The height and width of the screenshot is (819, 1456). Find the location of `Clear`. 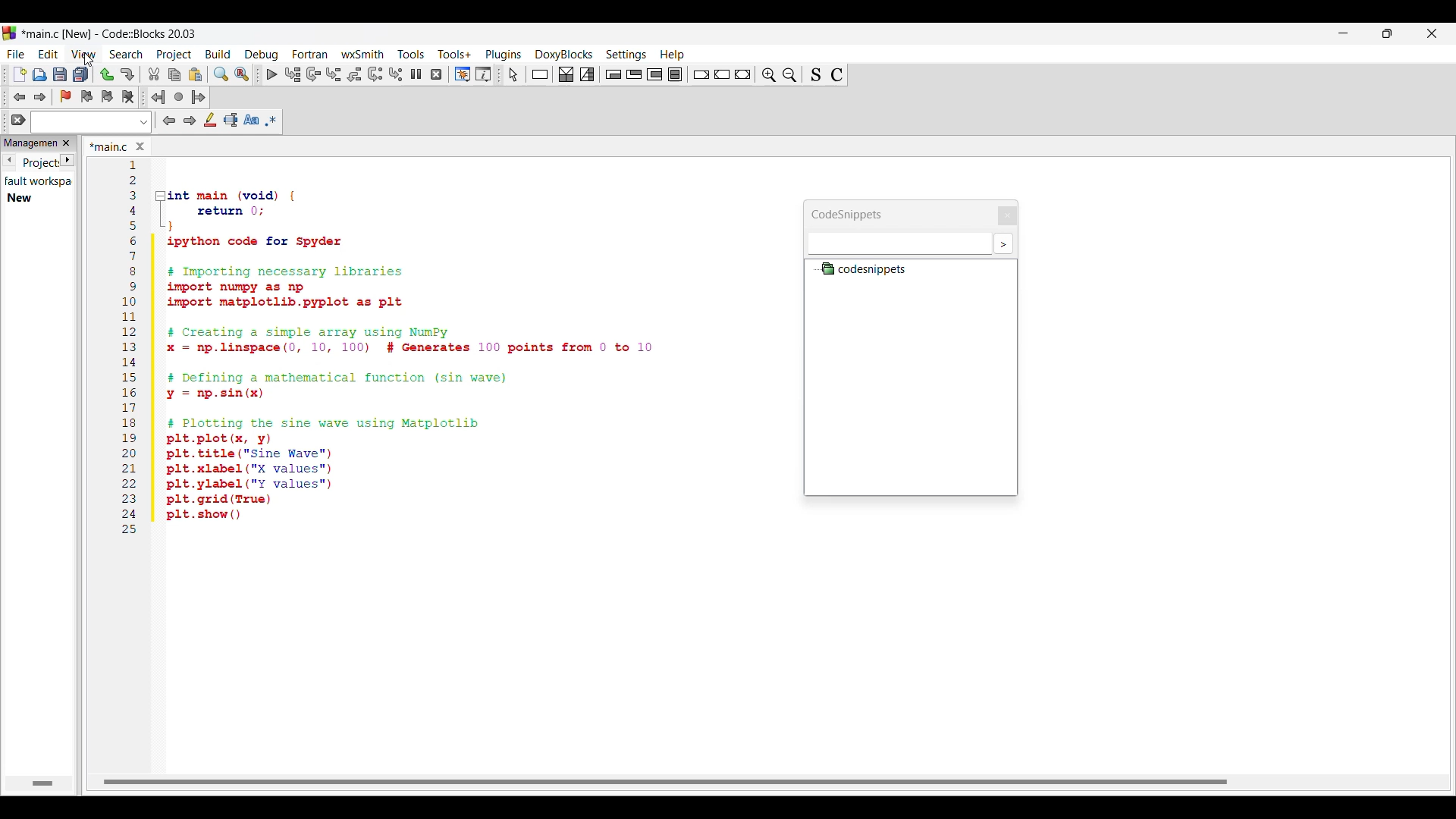

Clear is located at coordinates (19, 120).